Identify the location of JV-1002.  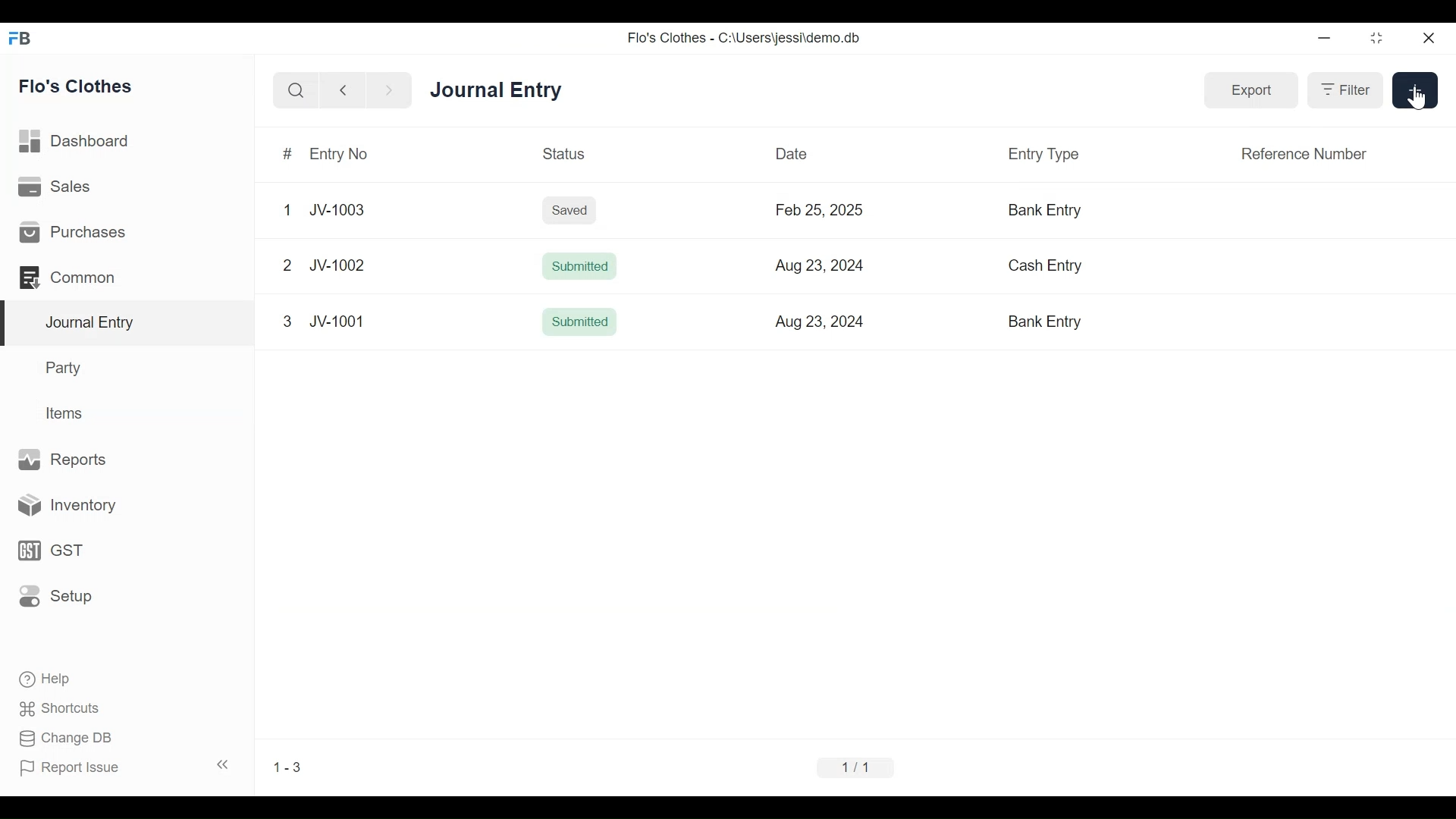
(338, 265).